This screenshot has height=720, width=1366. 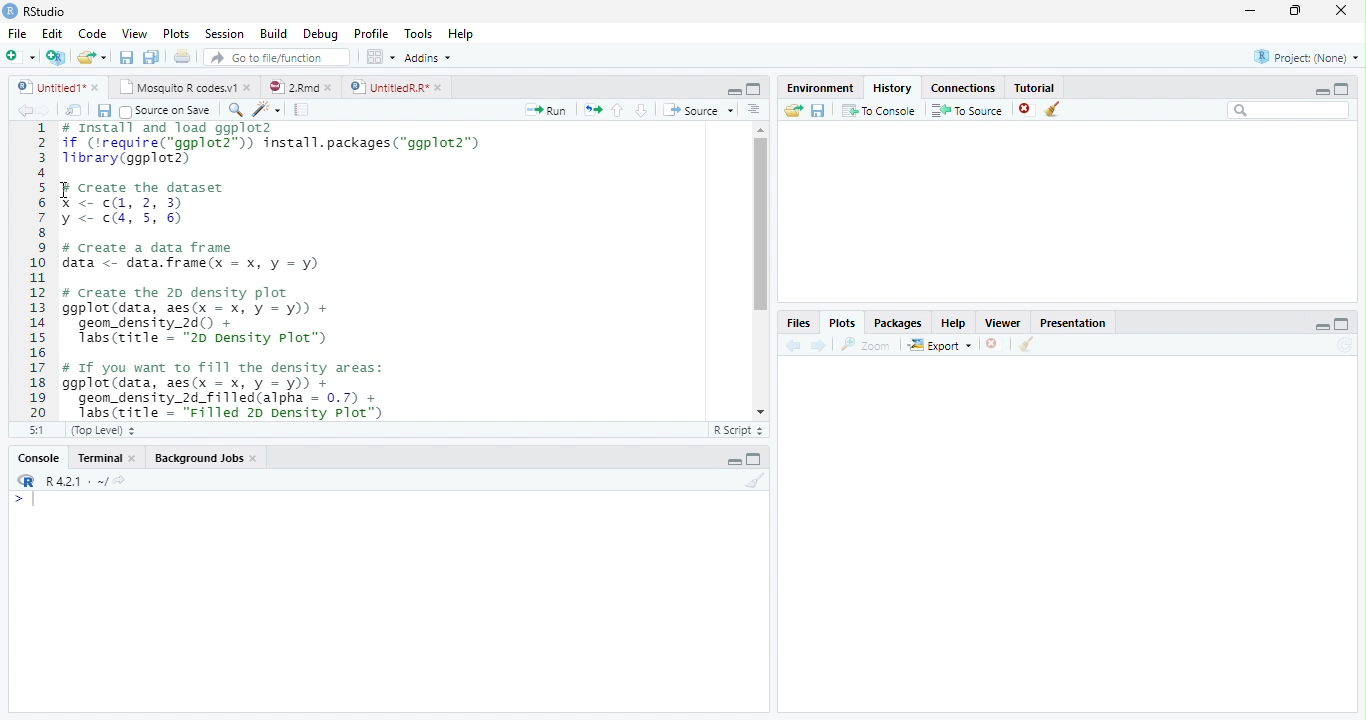 What do you see at coordinates (97, 87) in the screenshot?
I see `close` at bounding box center [97, 87].